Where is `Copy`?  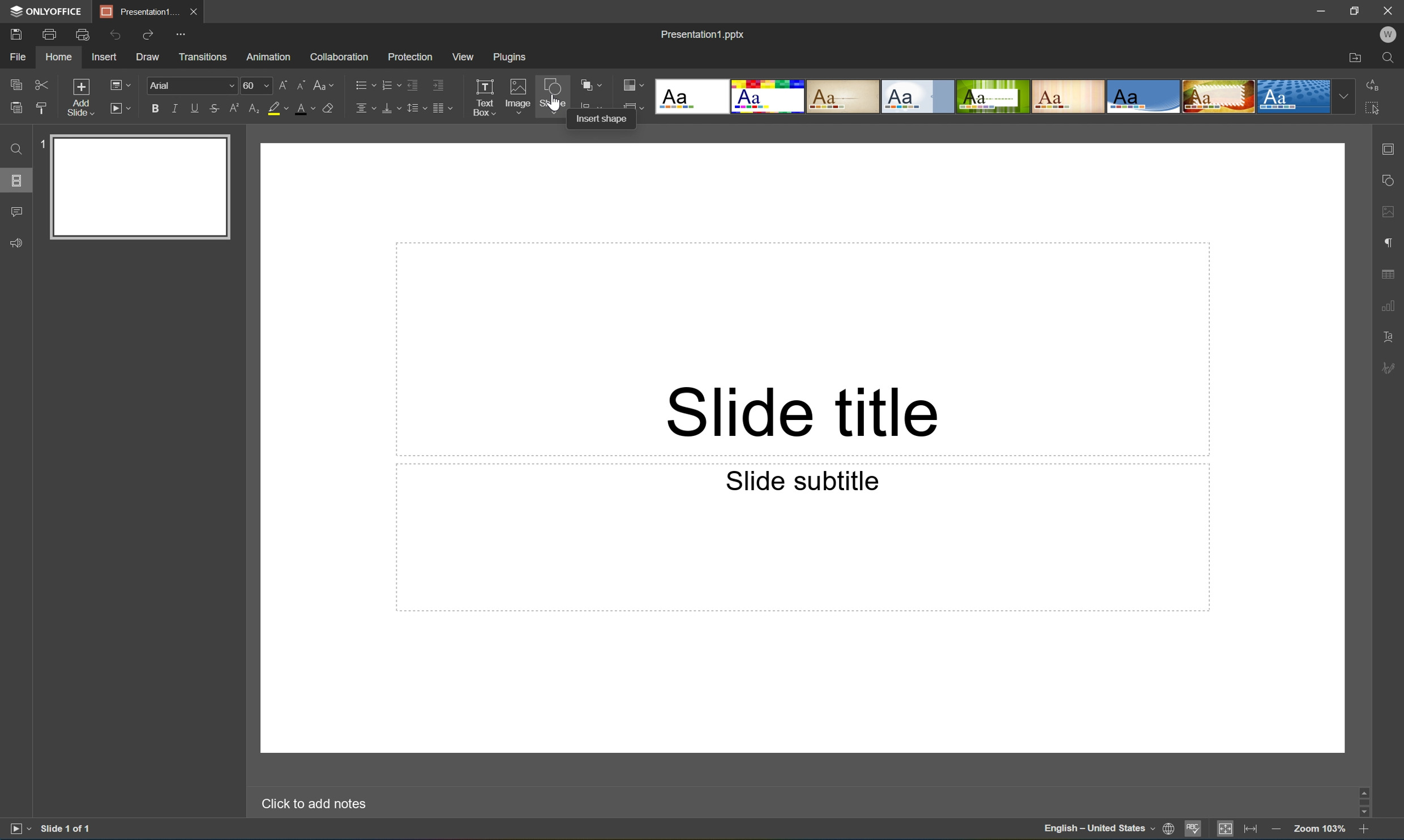
Copy is located at coordinates (17, 82).